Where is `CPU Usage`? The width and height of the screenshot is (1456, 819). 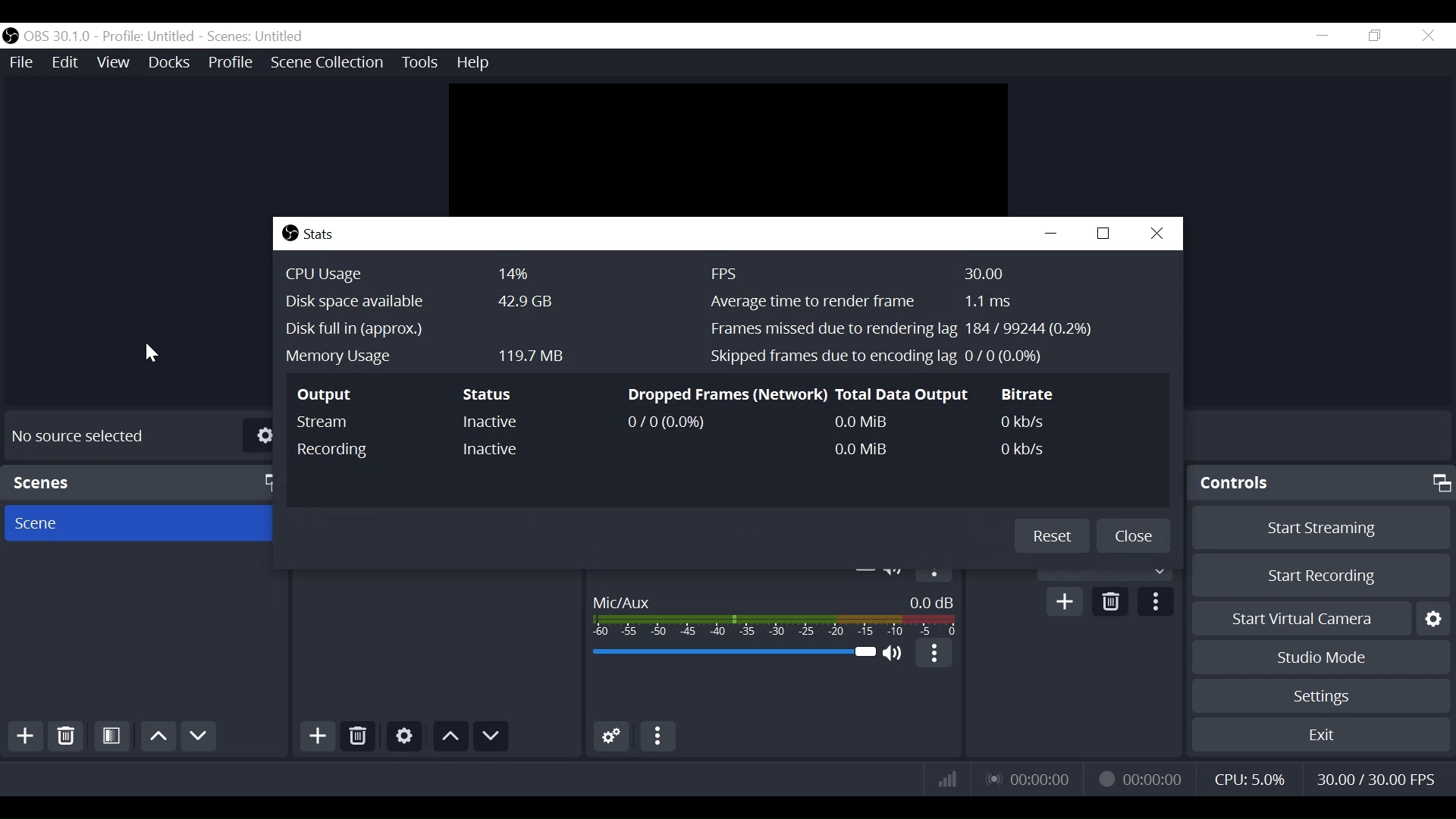
CPU Usage is located at coordinates (481, 273).